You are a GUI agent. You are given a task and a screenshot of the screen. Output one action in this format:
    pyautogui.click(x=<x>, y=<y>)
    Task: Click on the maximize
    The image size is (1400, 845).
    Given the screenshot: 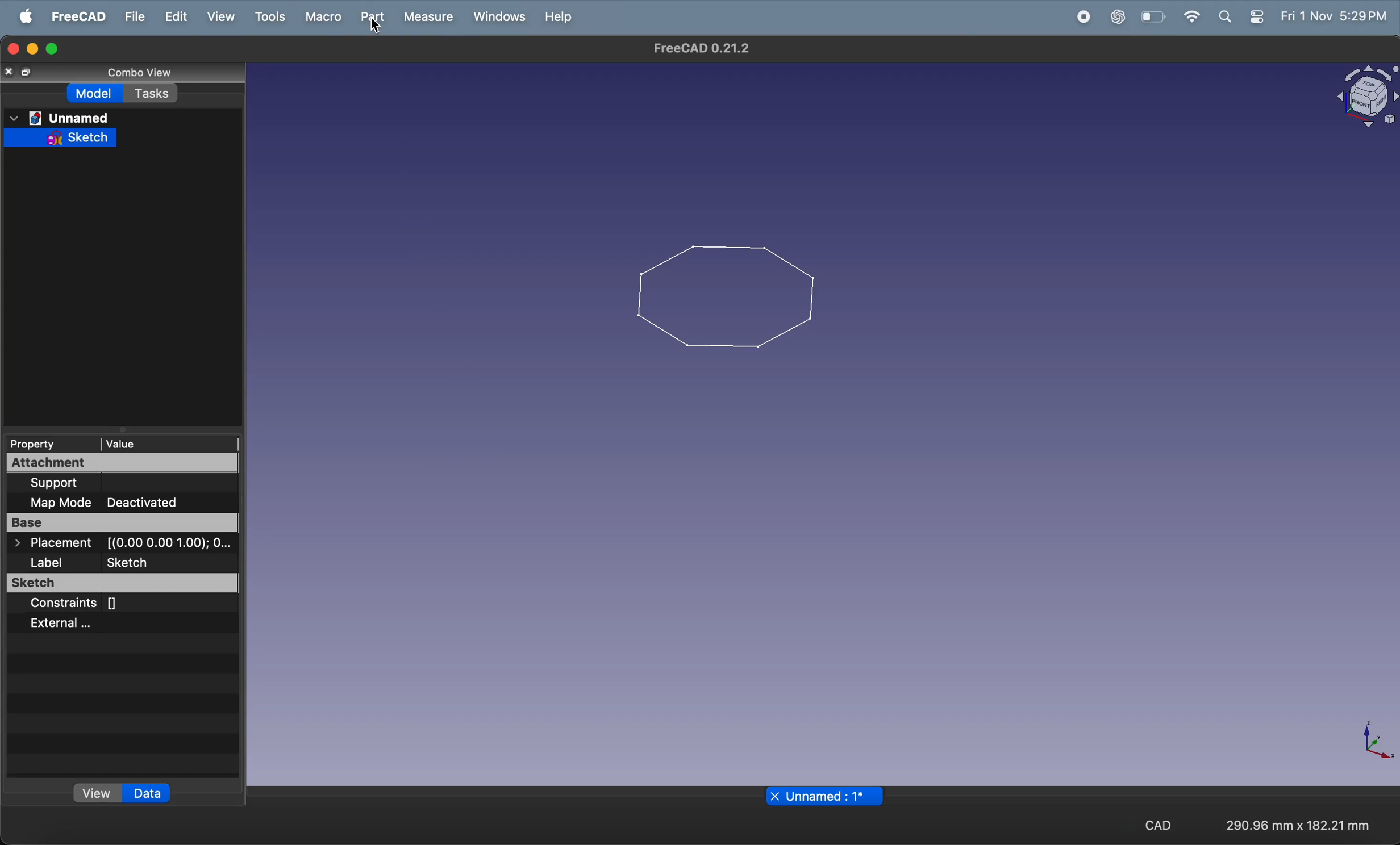 What is the action you would take?
    pyautogui.click(x=53, y=47)
    